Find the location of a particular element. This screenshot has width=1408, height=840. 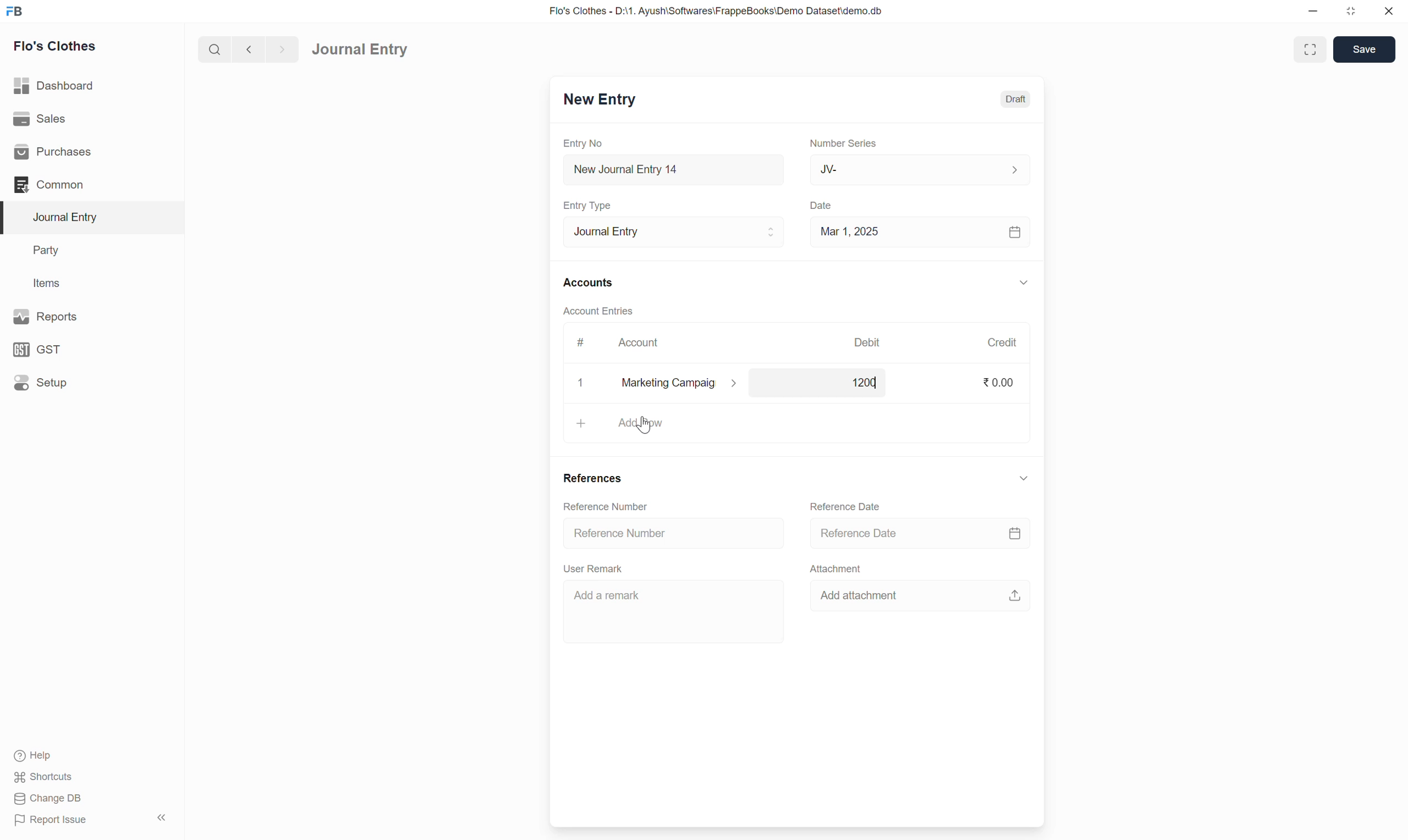

marketing campaig is located at coordinates (688, 383).